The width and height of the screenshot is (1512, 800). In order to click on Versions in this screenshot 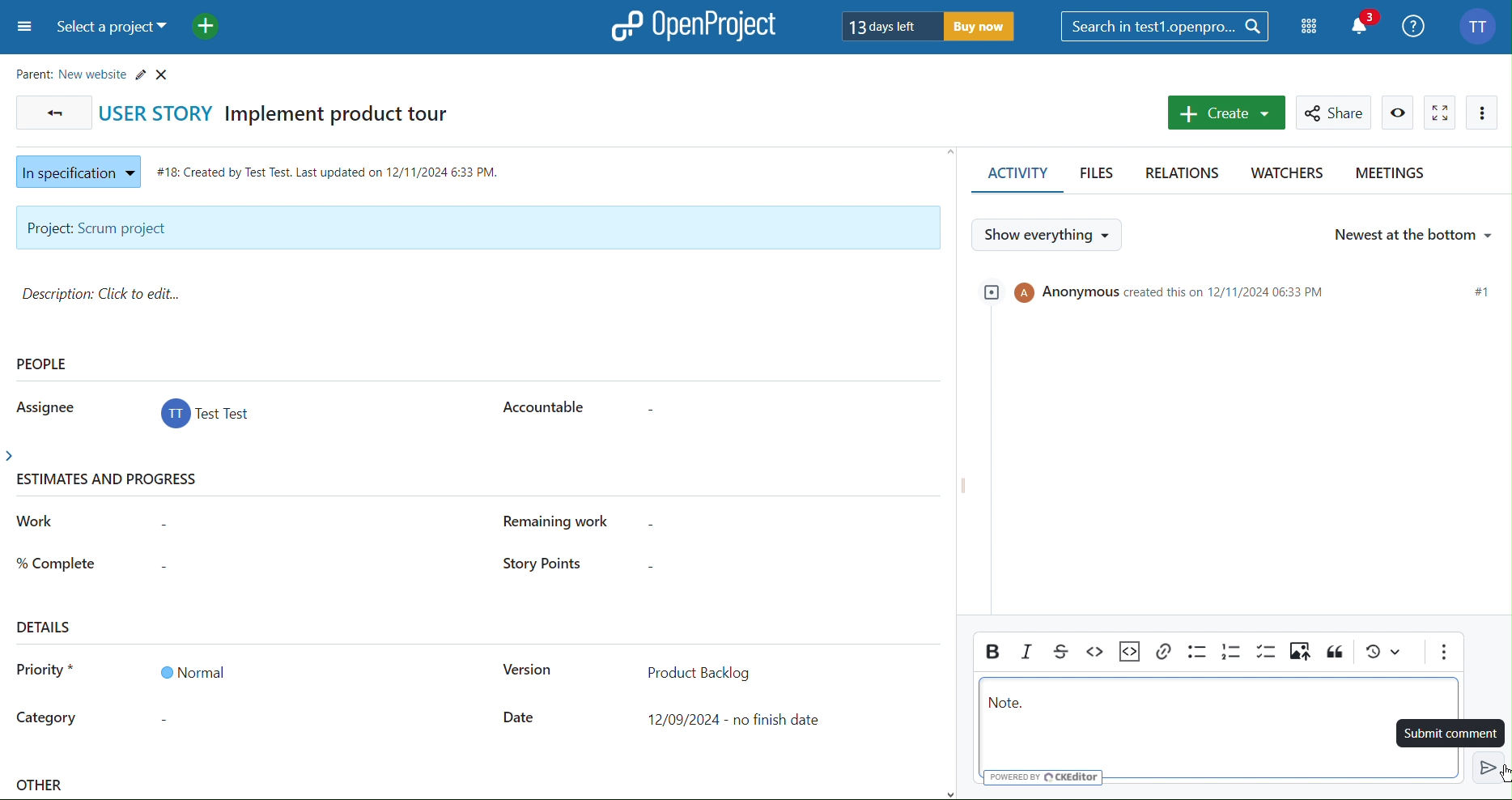, I will do `click(1383, 655)`.